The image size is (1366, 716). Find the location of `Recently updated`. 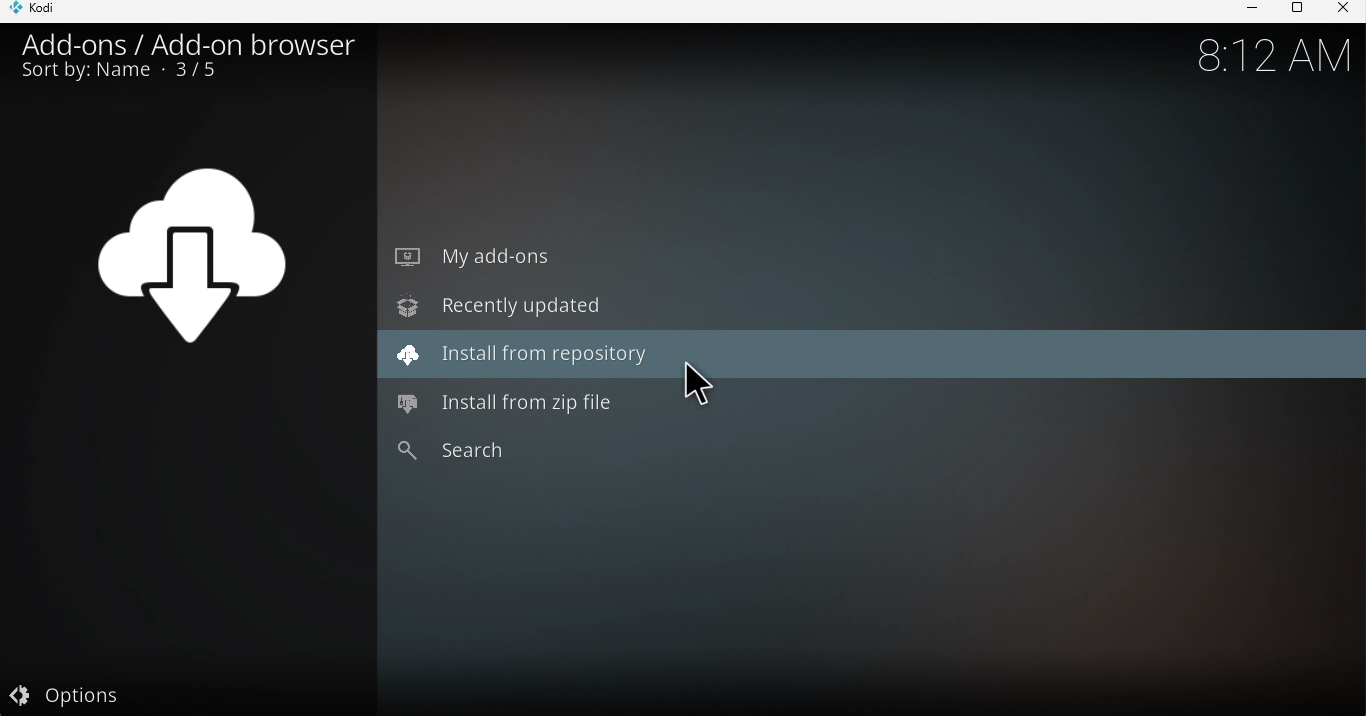

Recently updated is located at coordinates (869, 304).